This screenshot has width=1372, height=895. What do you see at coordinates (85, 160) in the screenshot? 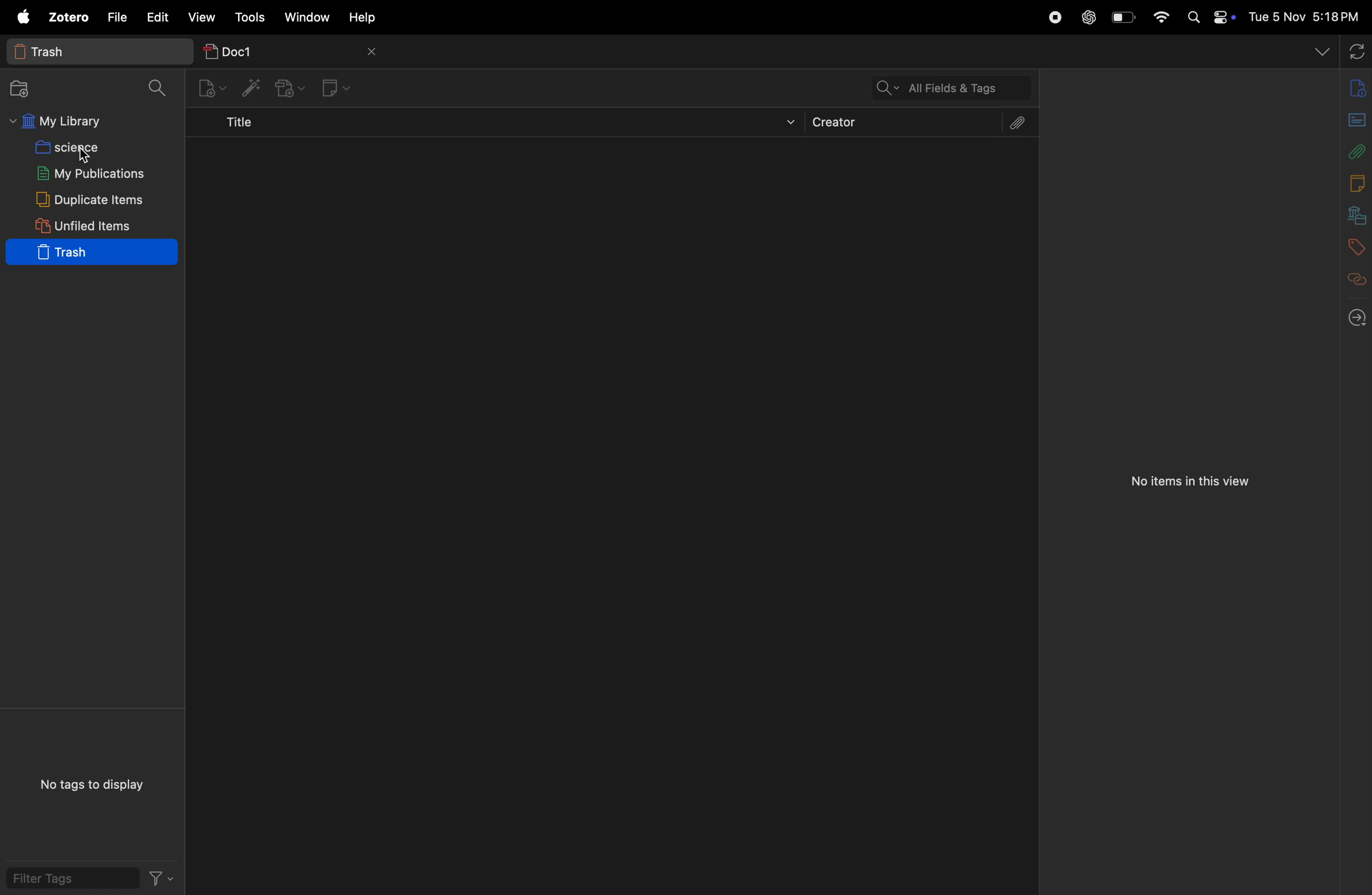
I see `Pointer` at bounding box center [85, 160].